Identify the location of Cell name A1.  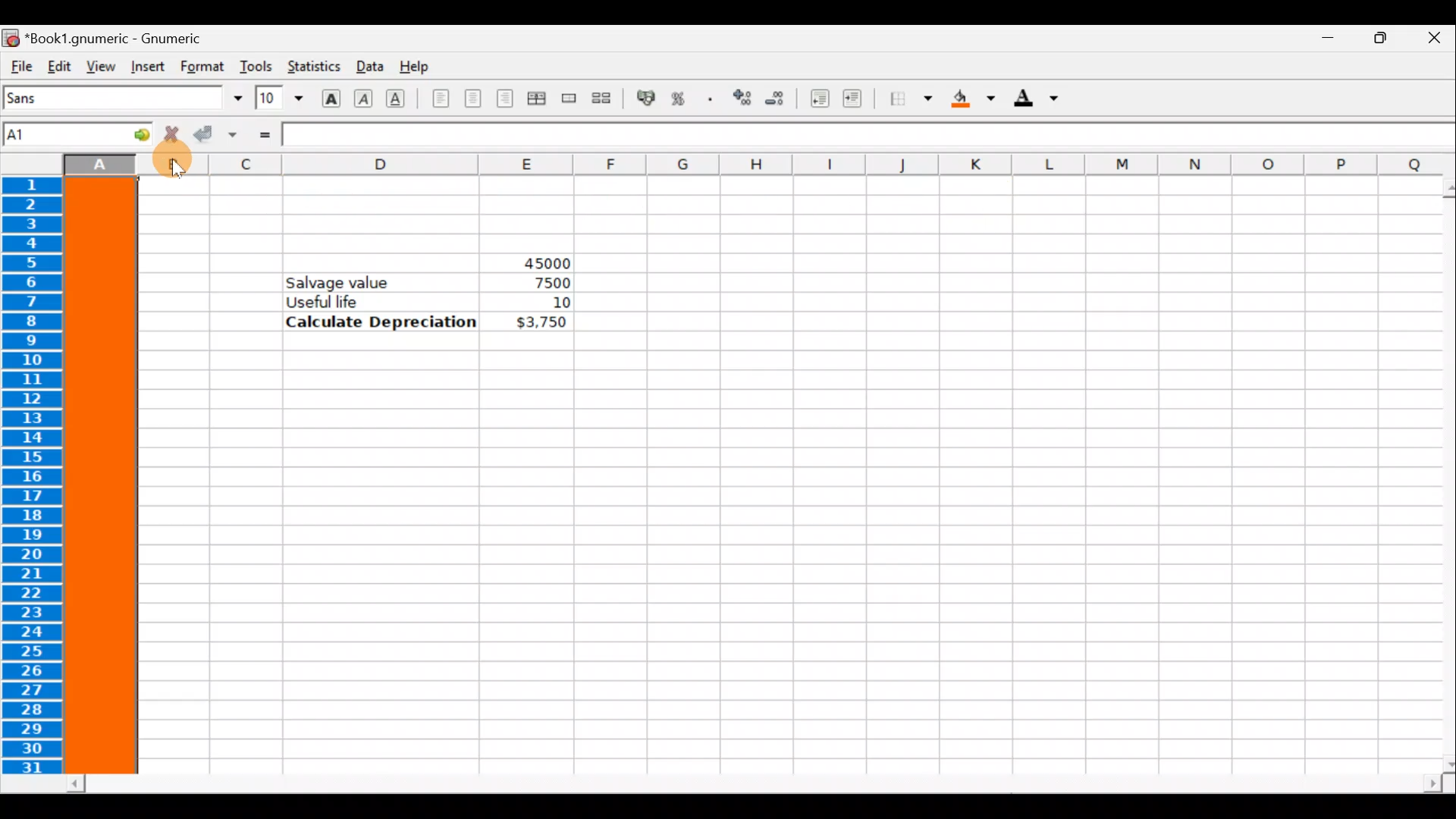
(54, 136).